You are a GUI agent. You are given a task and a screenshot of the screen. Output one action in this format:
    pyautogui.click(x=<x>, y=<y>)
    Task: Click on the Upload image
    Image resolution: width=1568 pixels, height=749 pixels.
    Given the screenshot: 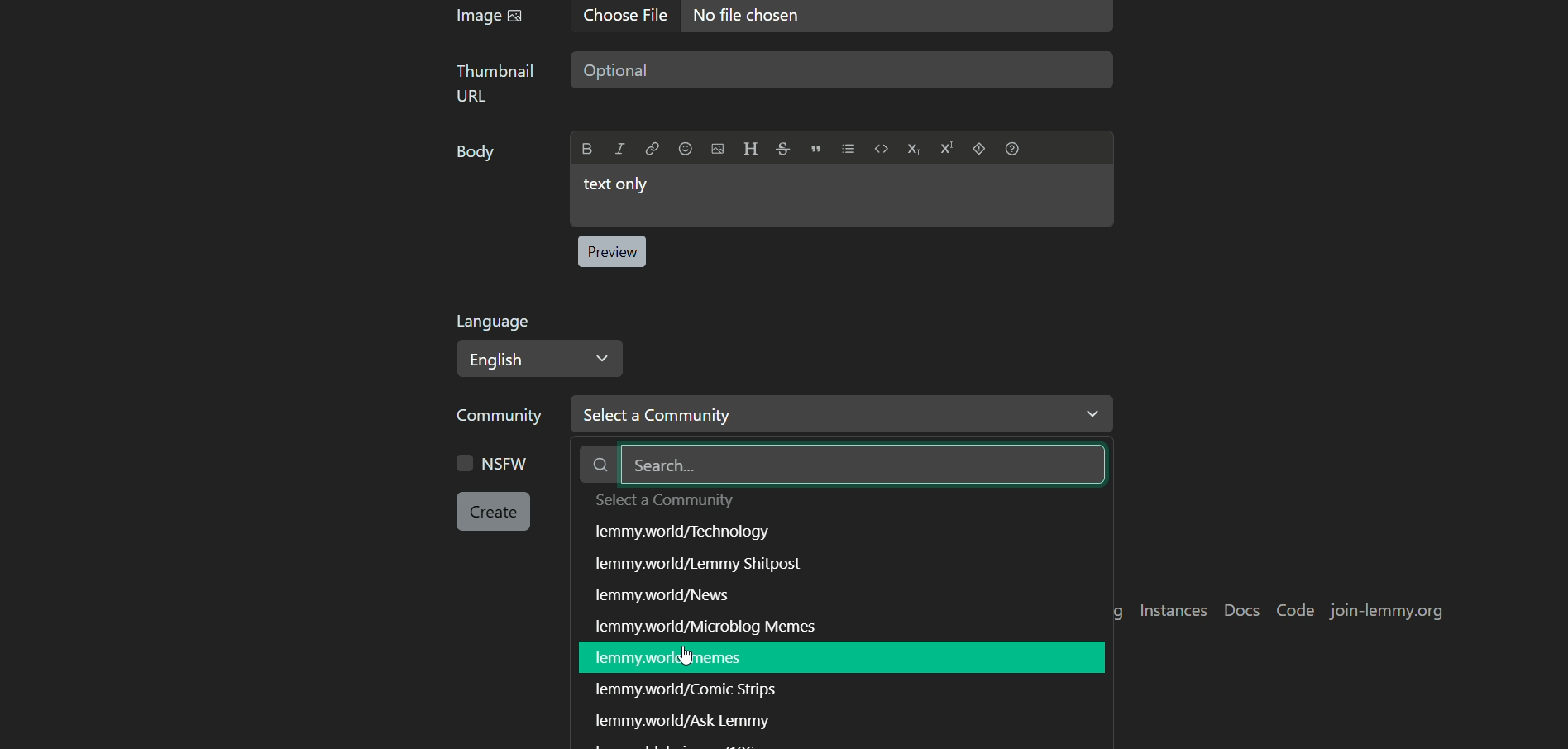 What is the action you would take?
    pyautogui.click(x=718, y=149)
    